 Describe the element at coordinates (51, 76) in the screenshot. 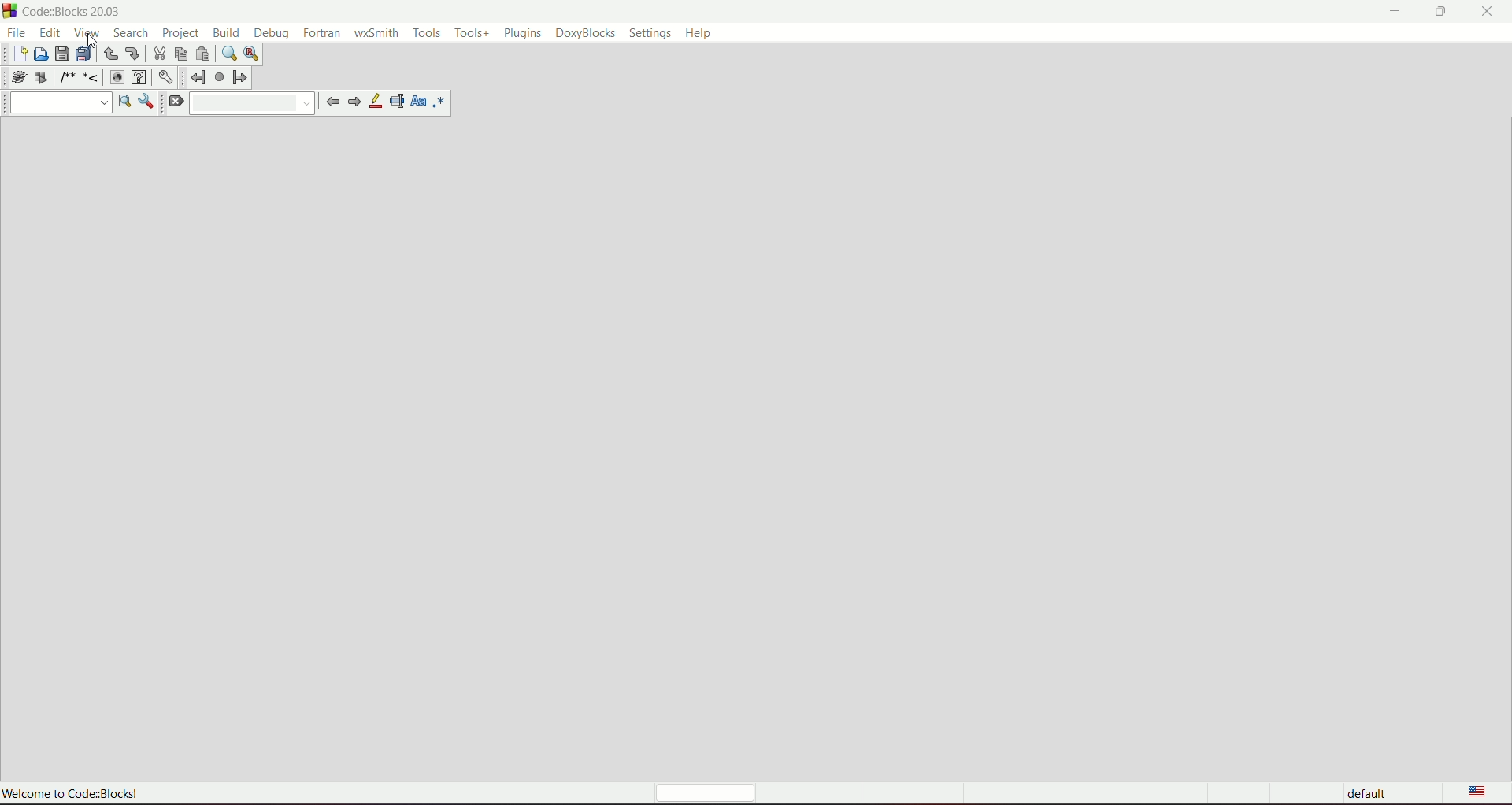

I see `icons` at that location.